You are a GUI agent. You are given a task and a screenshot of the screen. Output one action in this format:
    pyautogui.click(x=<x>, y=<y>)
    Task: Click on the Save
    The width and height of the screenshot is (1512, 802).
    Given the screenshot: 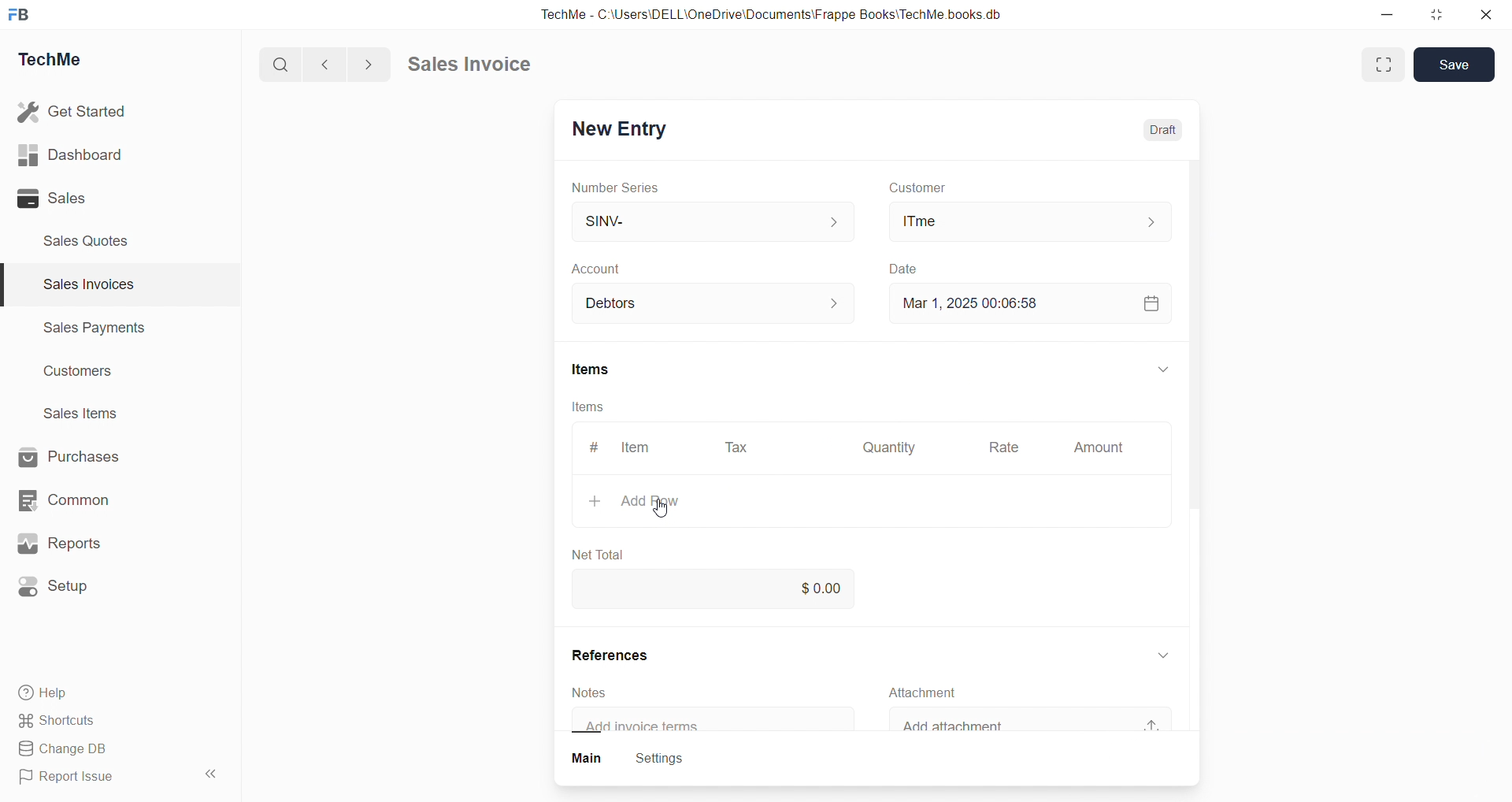 What is the action you would take?
    pyautogui.click(x=1458, y=64)
    